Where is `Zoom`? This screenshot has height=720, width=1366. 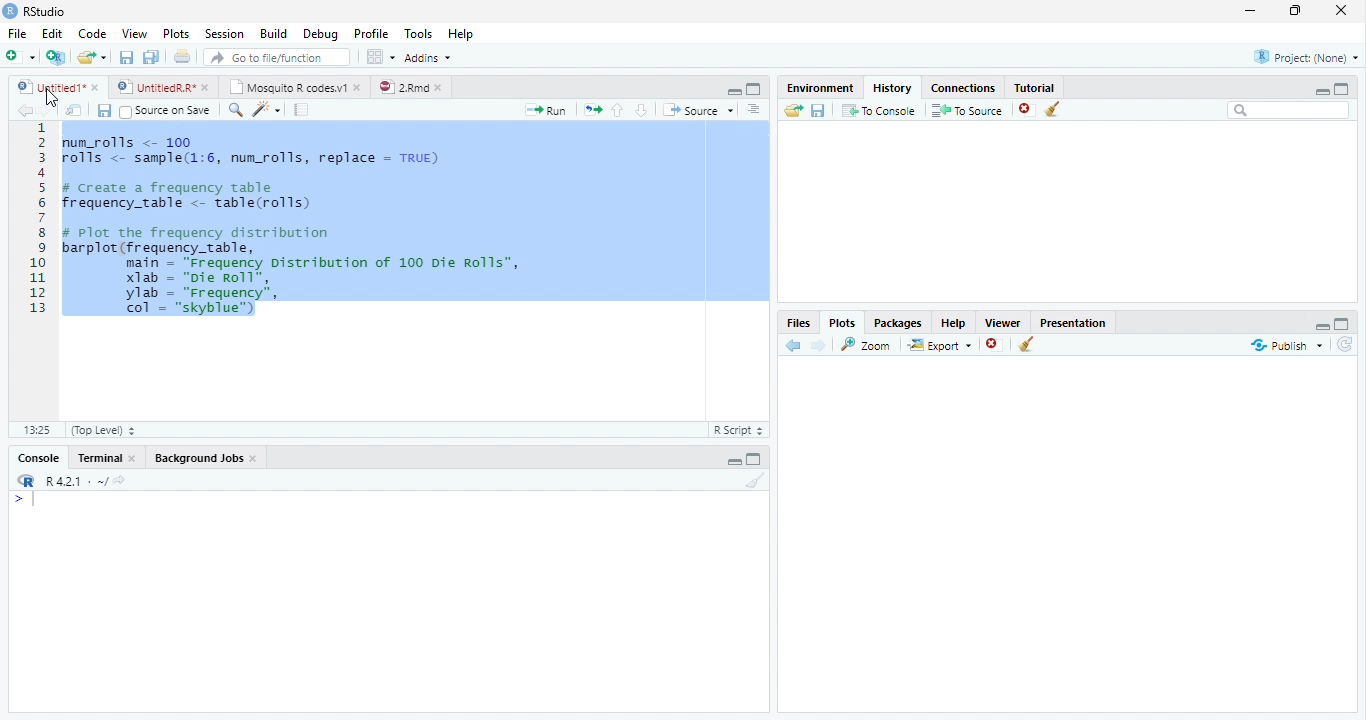 Zoom is located at coordinates (868, 345).